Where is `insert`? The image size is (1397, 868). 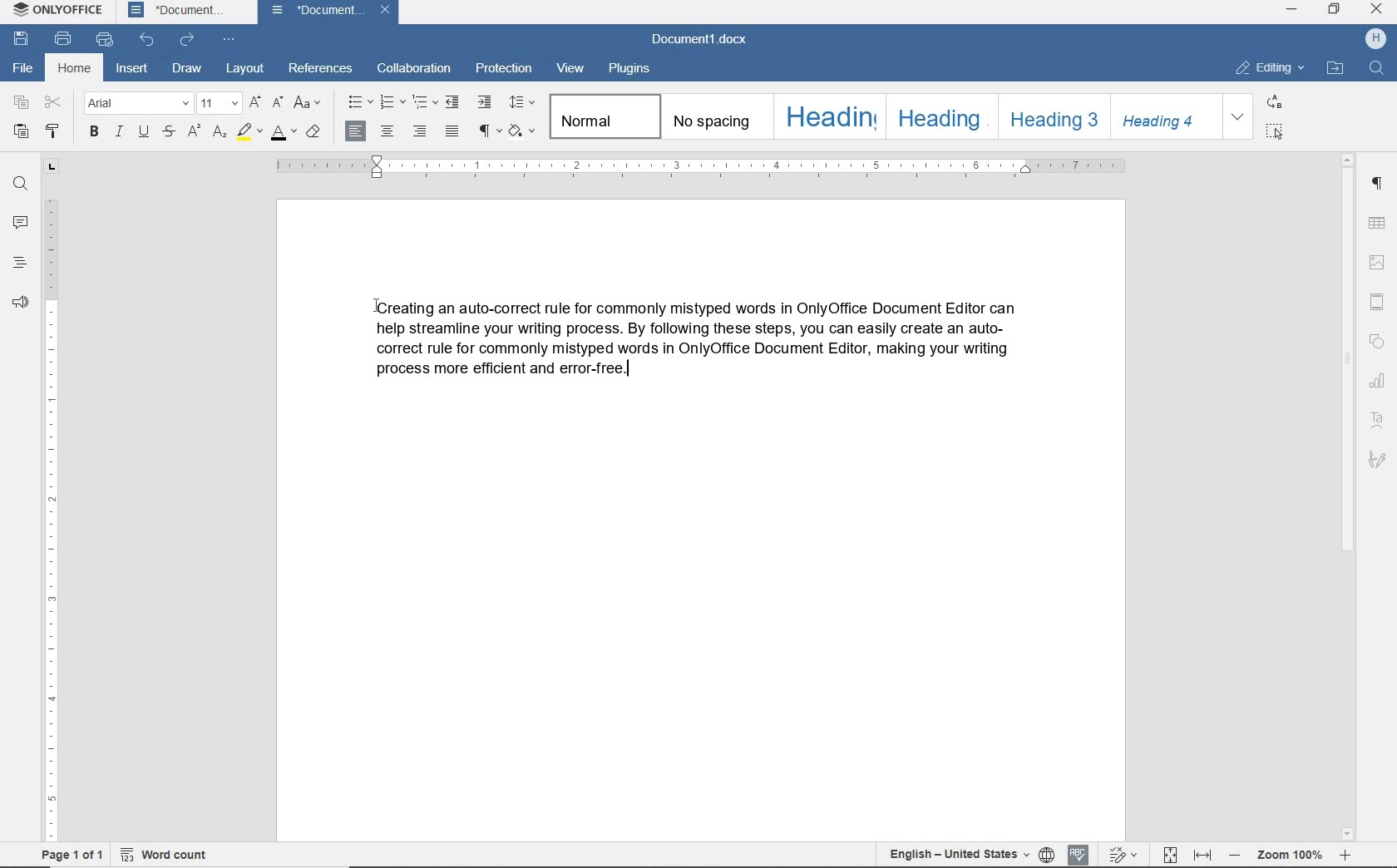
insert is located at coordinates (134, 70).